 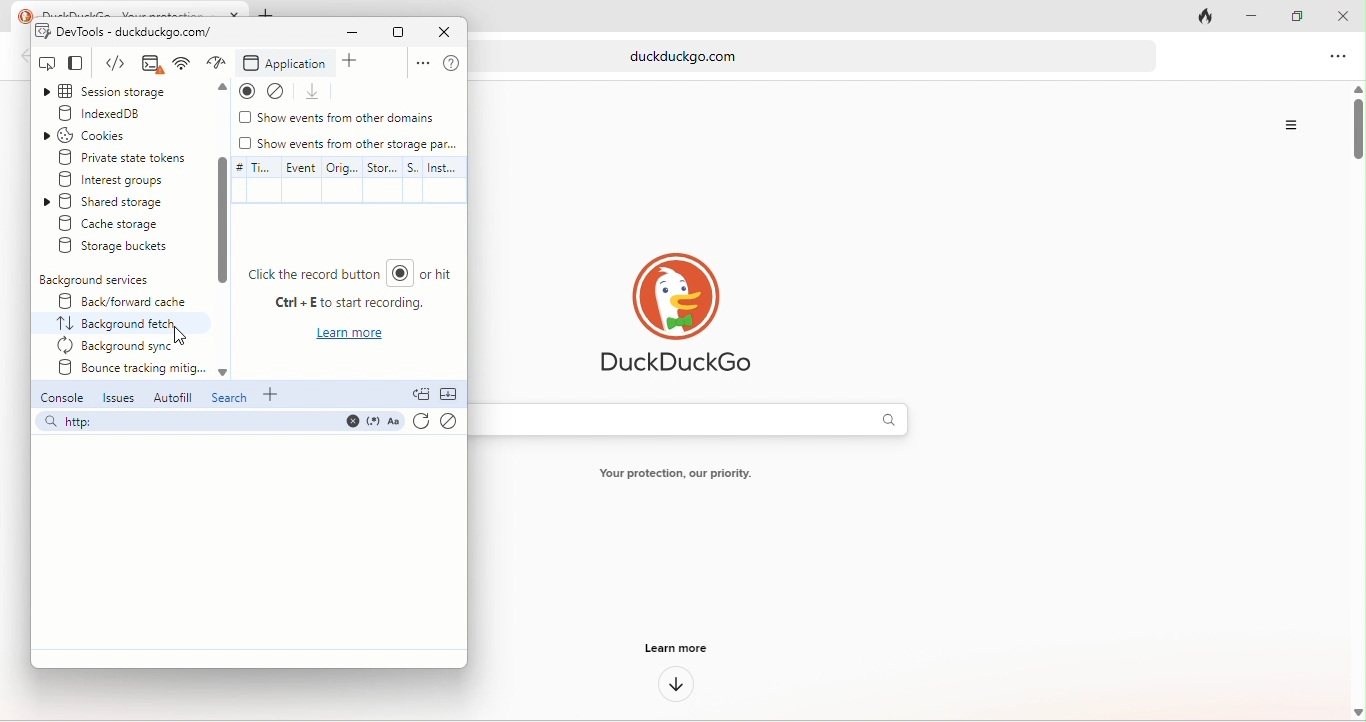 What do you see at coordinates (397, 32) in the screenshot?
I see `maximize` at bounding box center [397, 32].